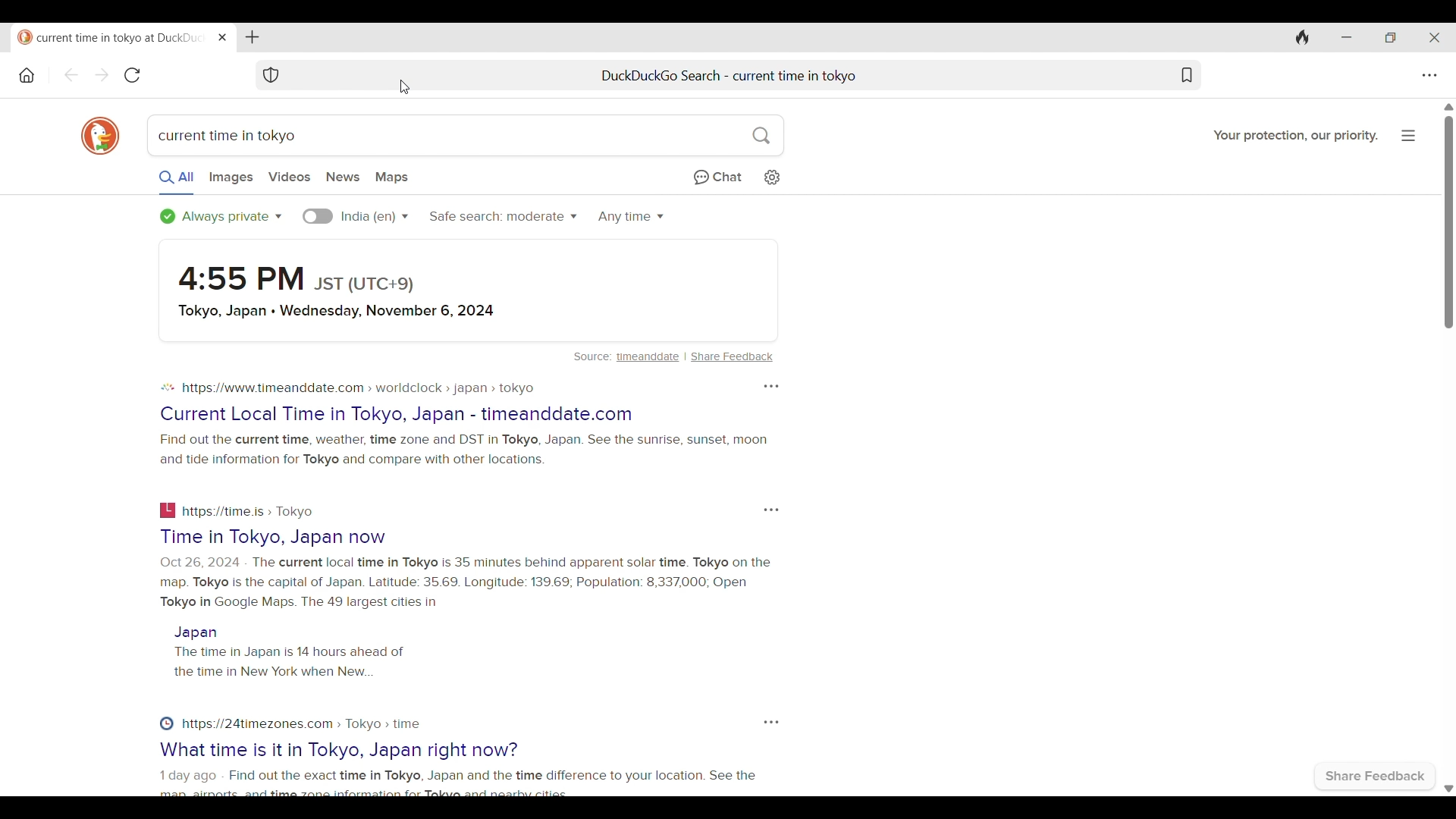 The width and height of the screenshot is (1456, 819). Describe the element at coordinates (1448, 447) in the screenshot. I see `Vertical slide bar` at that location.